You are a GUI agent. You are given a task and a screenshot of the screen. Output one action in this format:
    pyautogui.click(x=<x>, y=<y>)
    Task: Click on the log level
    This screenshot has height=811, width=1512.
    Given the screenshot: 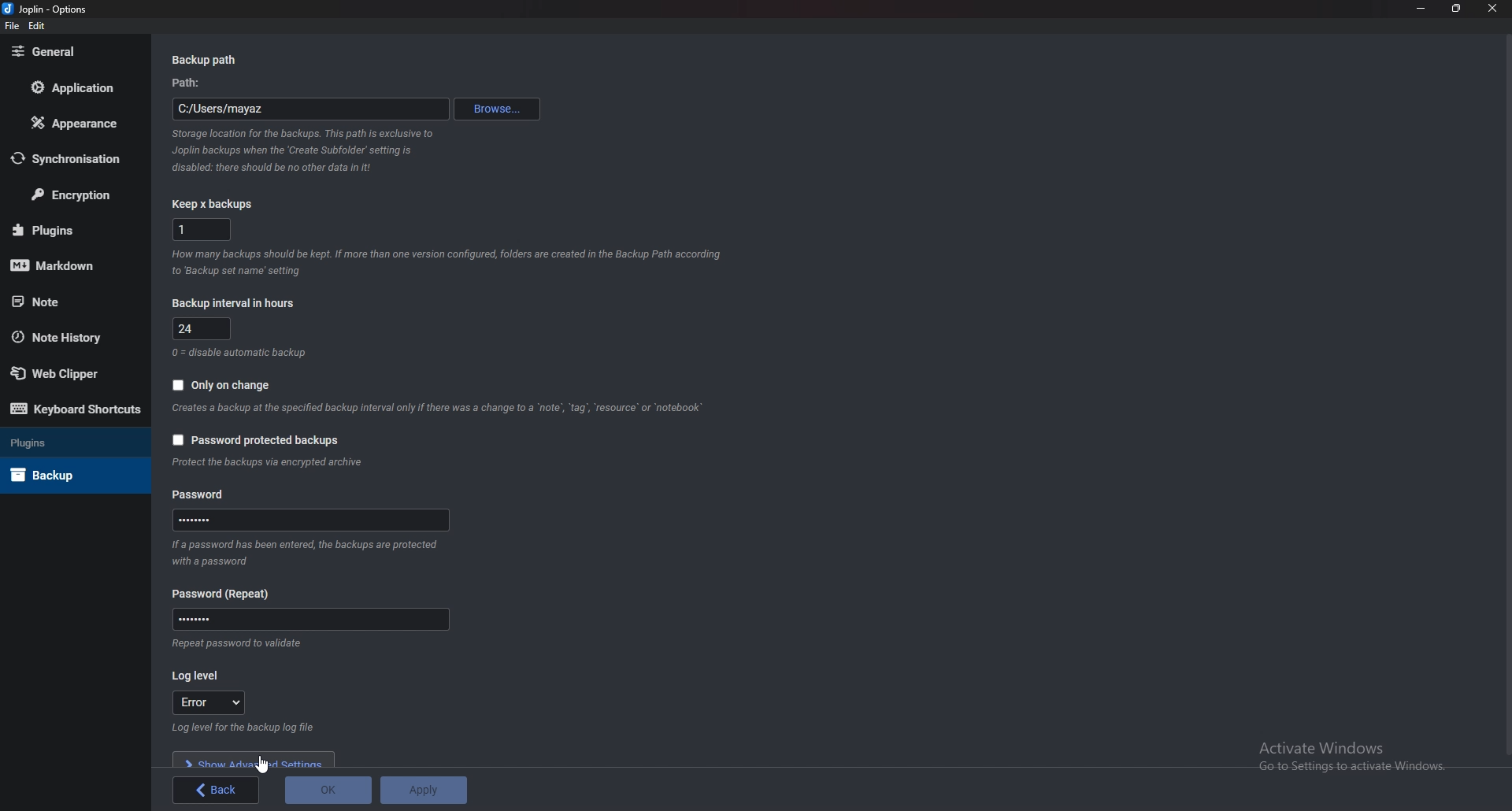 What is the action you would take?
    pyautogui.click(x=209, y=702)
    